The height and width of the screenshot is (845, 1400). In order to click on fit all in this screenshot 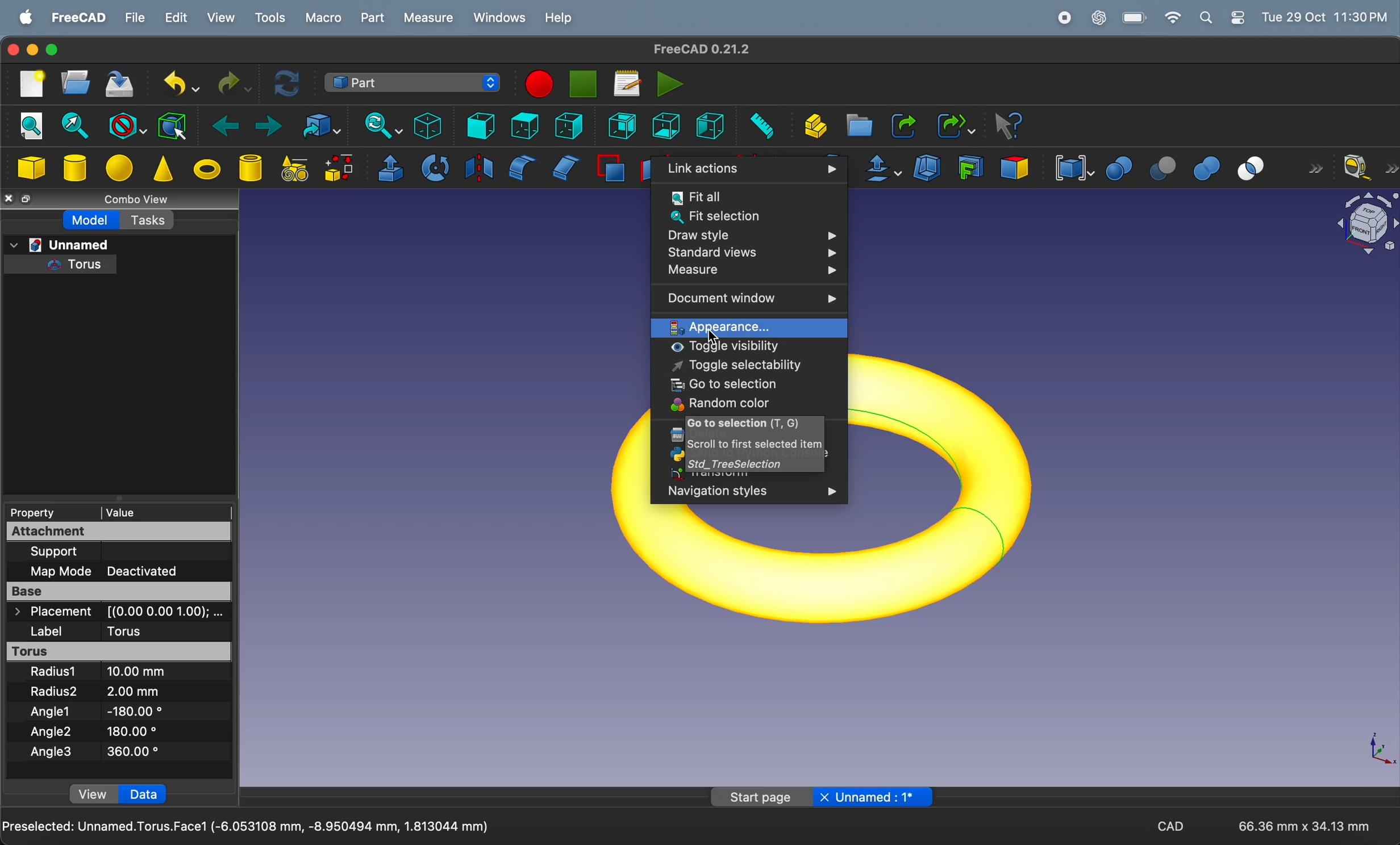, I will do `click(716, 198)`.